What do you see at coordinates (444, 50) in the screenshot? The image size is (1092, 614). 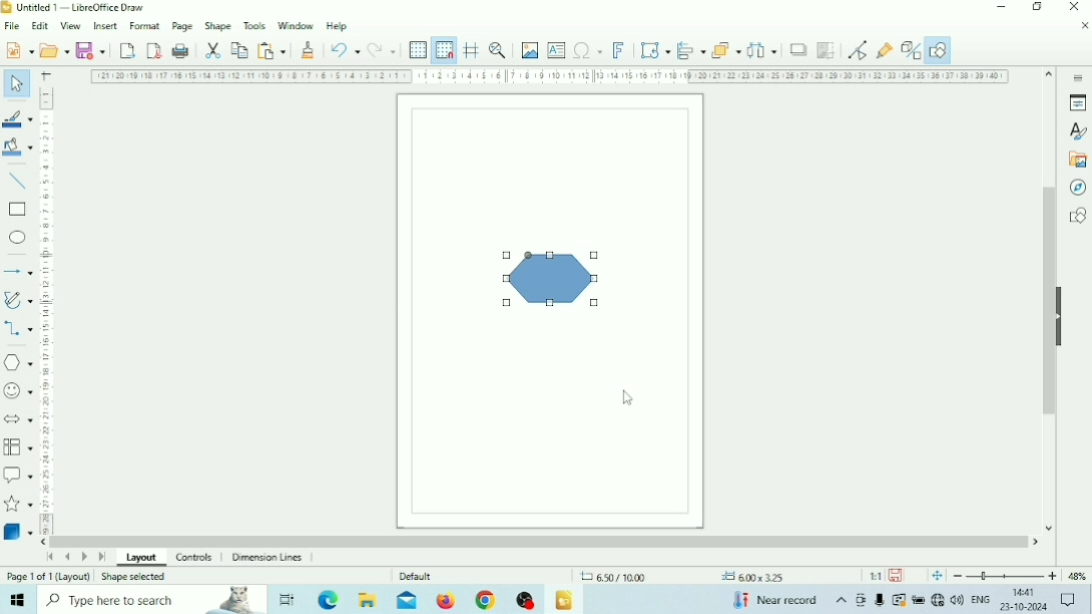 I see `Snap to Grid` at bounding box center [444, 50].